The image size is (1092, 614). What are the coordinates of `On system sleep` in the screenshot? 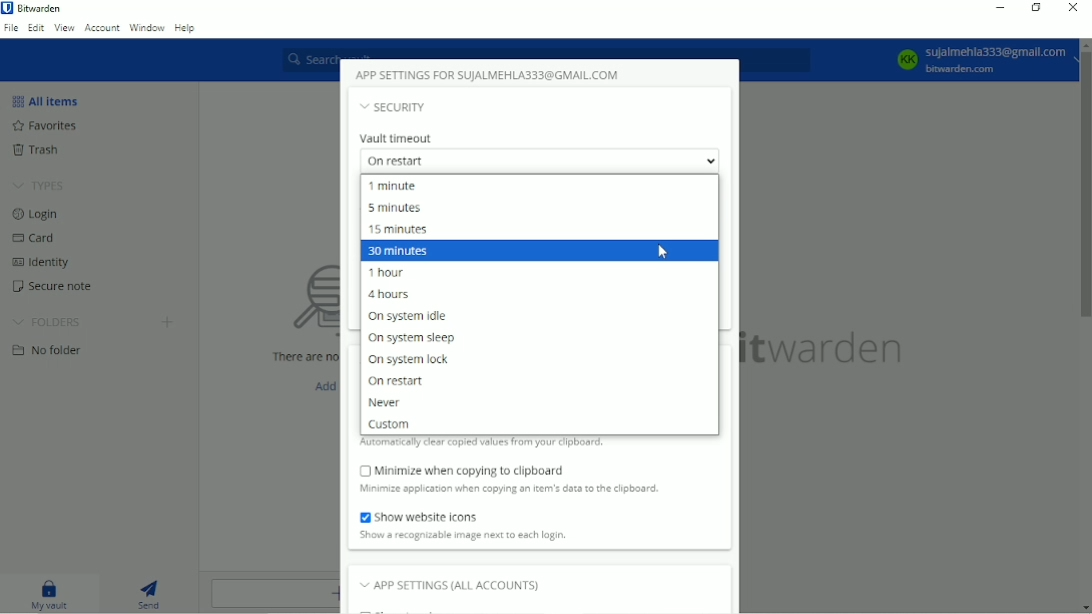 It's located at (413, 338).